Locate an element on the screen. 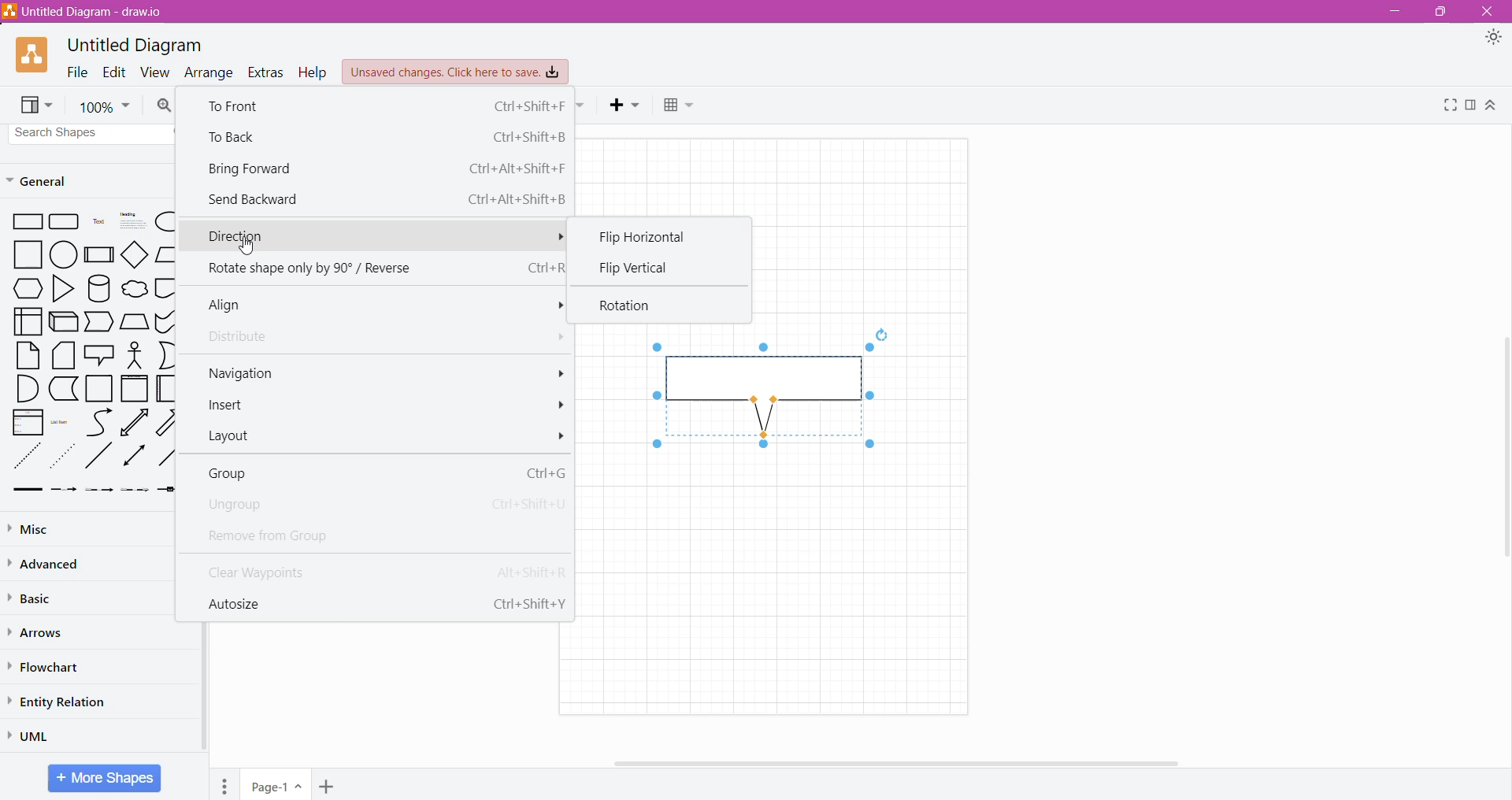 This screenshot has height=800, width=1512. File is located at coordinates (77, 72).